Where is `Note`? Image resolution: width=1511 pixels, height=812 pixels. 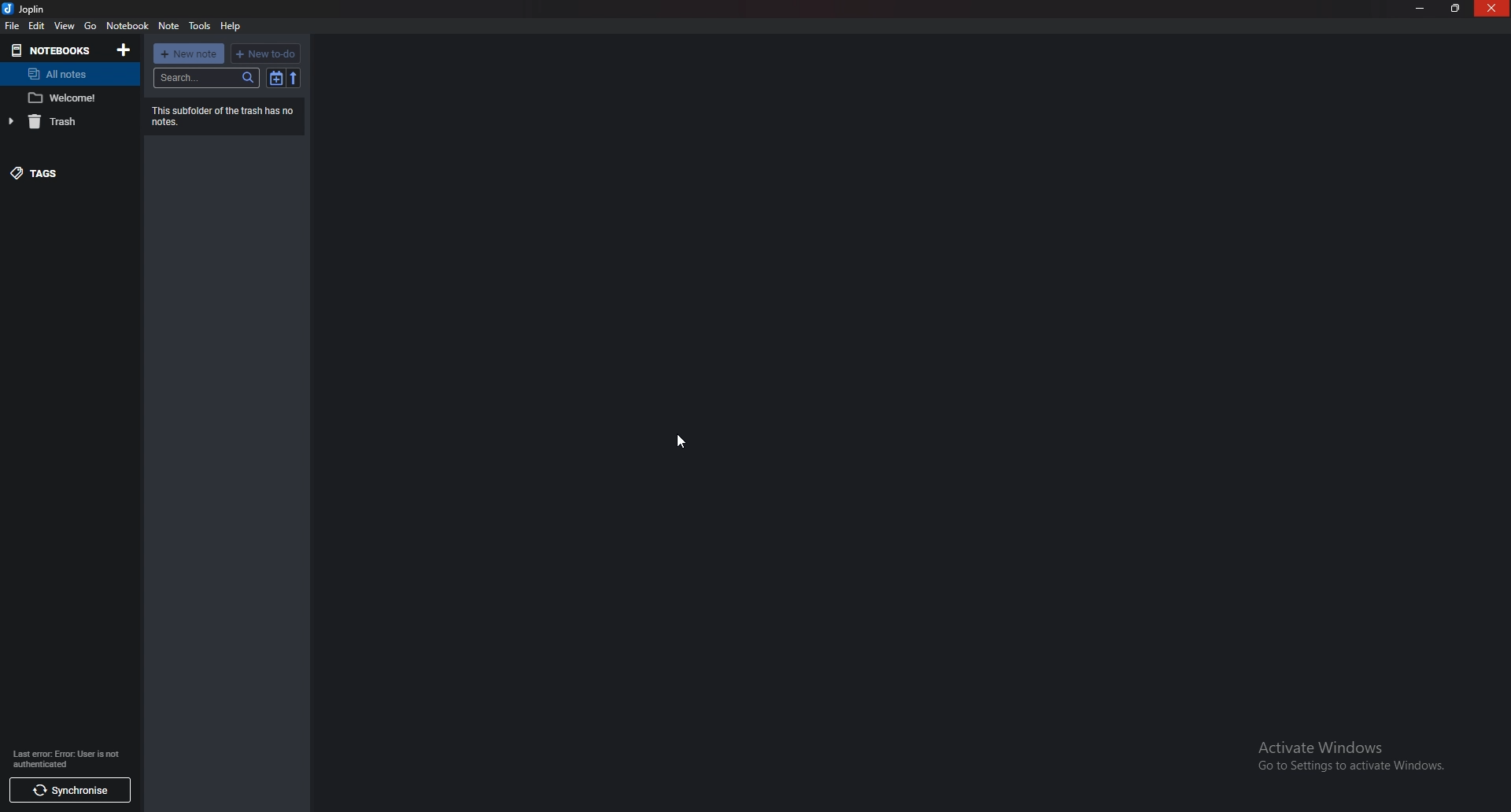 Note is located at coordinates (168, 25).